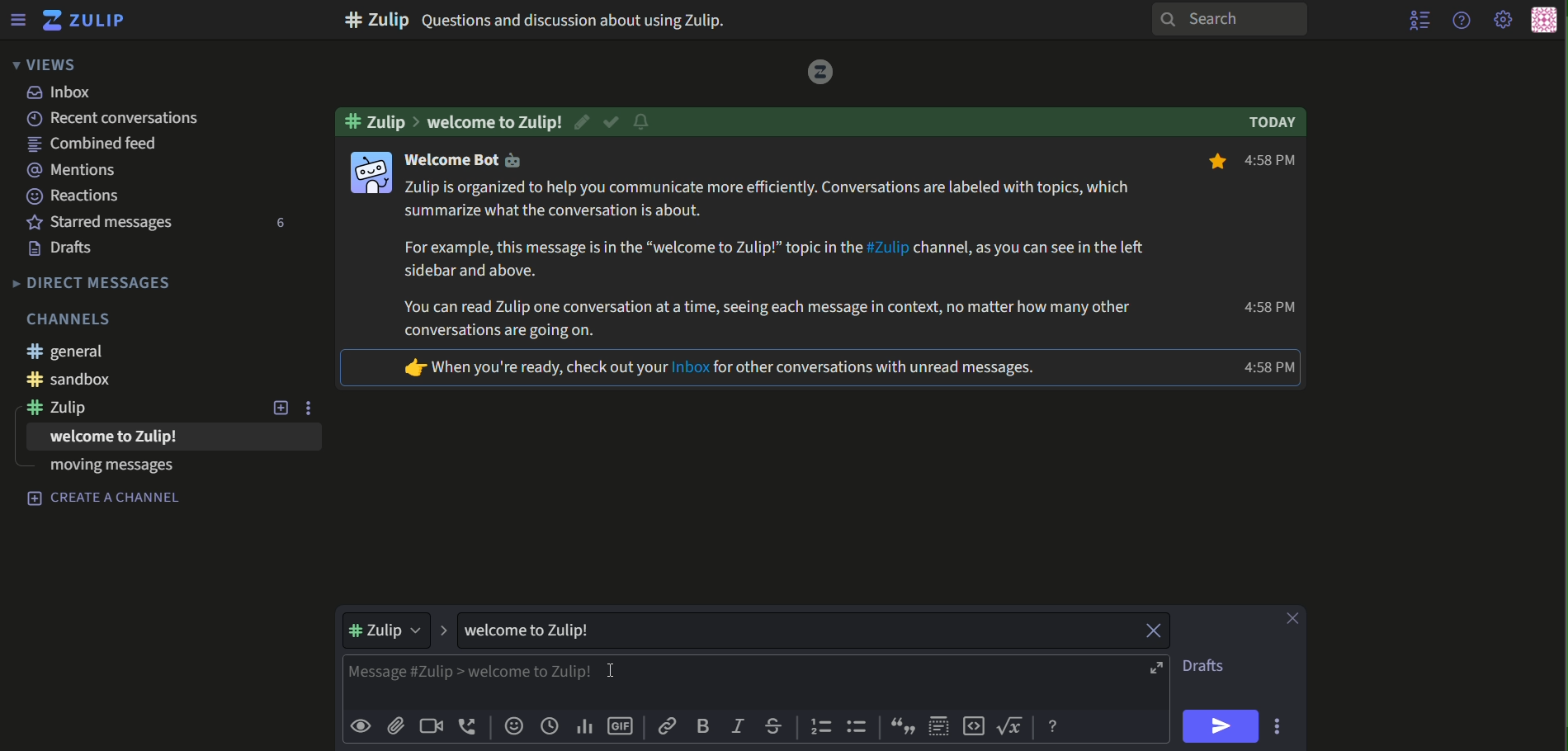  Describe the element at coordinates (778, 260) in the screenshot. I see `text` at that location.